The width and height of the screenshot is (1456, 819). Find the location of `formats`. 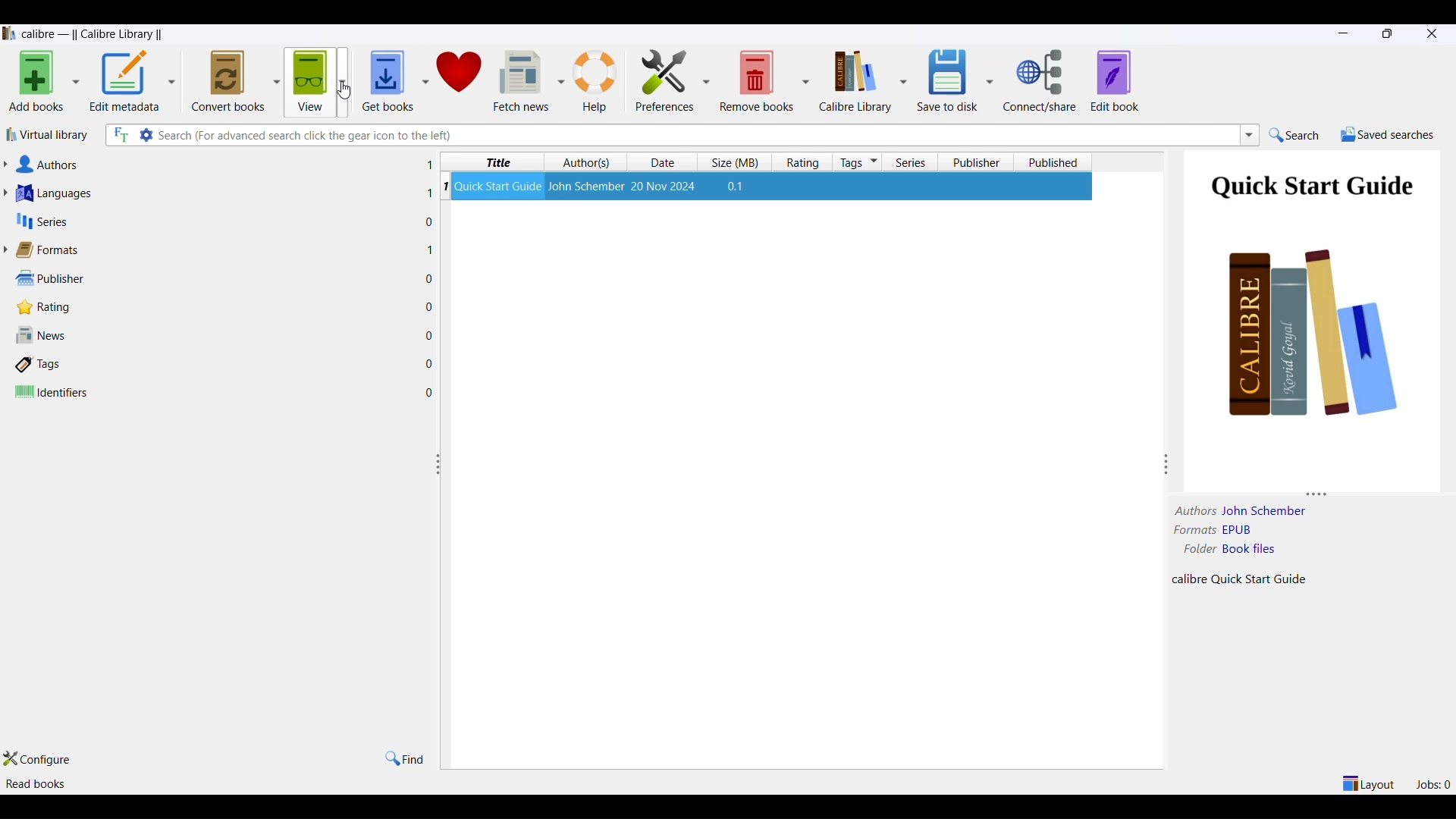

formats is located at coordinates (218, 249).